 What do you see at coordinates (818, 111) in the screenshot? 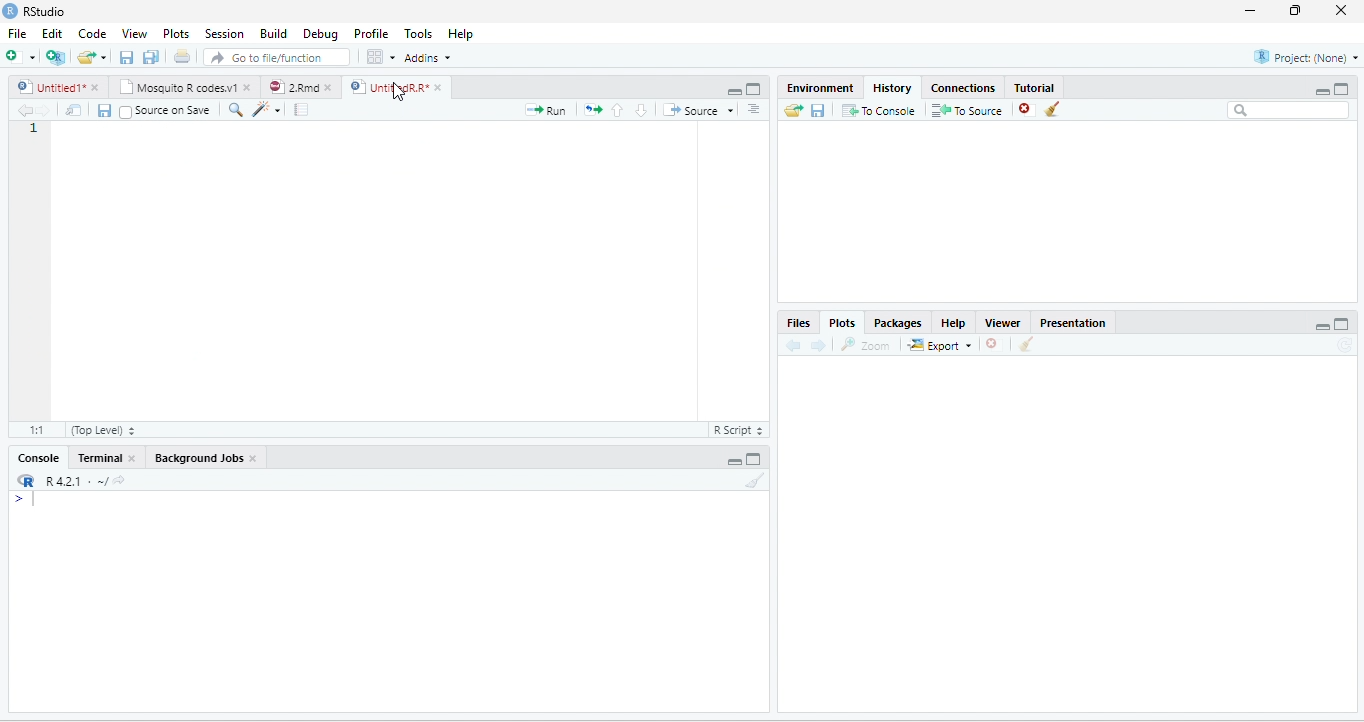
I see `Save history into a file` at bounding box center [818, 111].